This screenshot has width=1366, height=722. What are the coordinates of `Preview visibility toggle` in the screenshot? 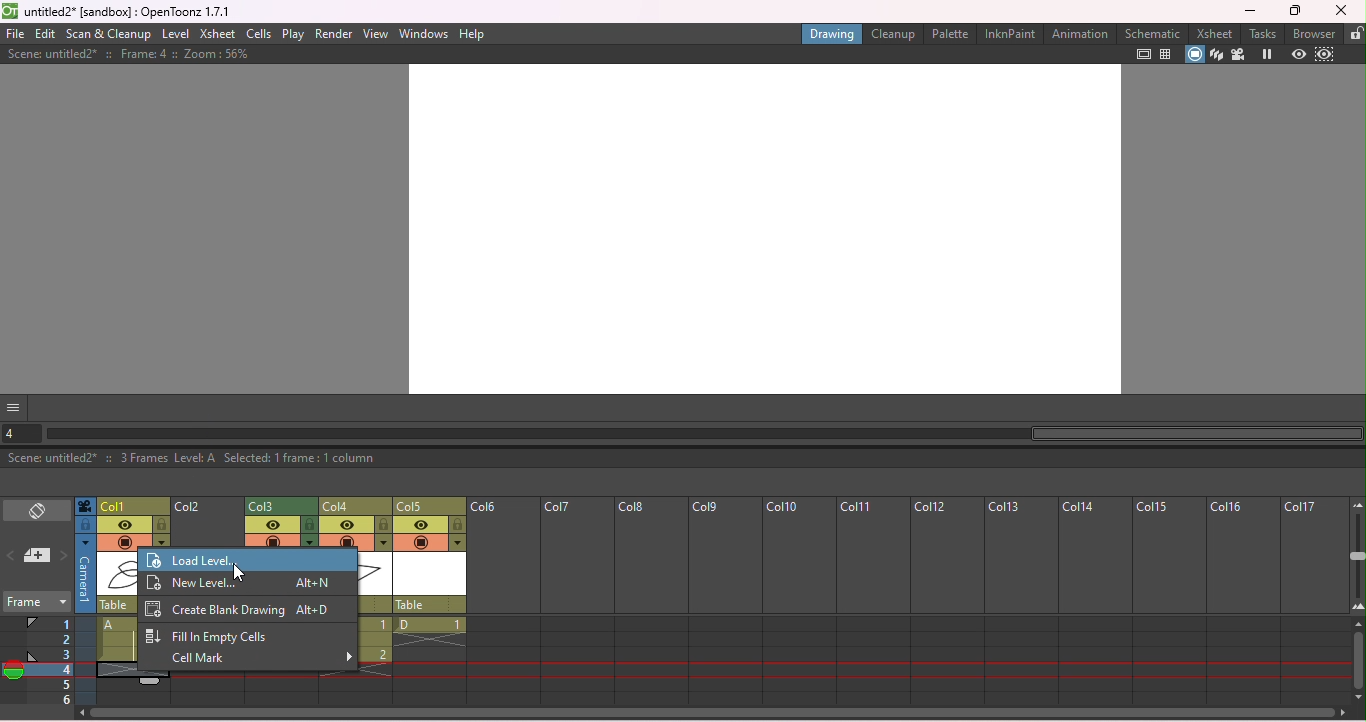 It's located at (421, 525).